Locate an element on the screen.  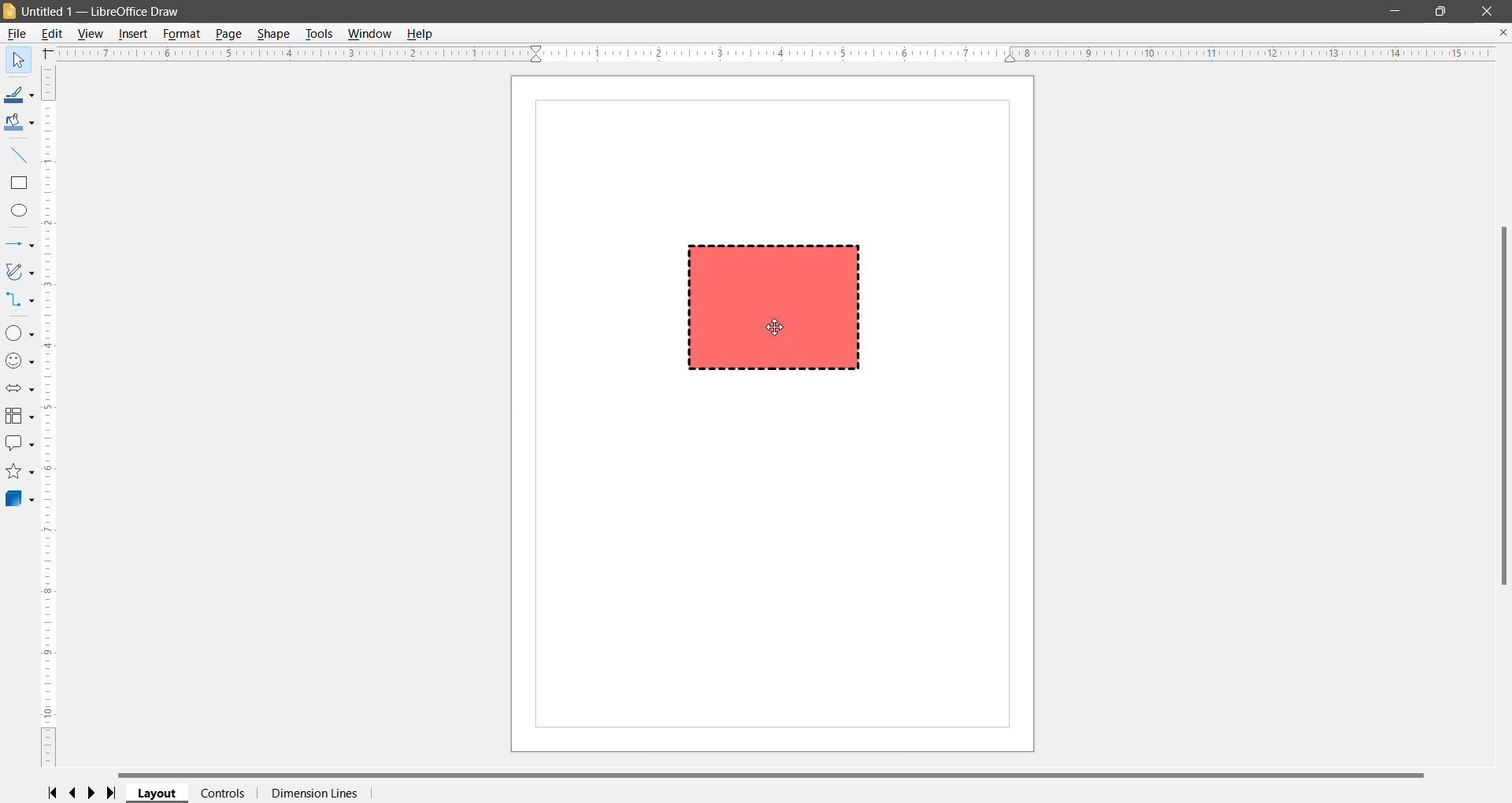
Scroll to last page is located at coordinates (112, 794).